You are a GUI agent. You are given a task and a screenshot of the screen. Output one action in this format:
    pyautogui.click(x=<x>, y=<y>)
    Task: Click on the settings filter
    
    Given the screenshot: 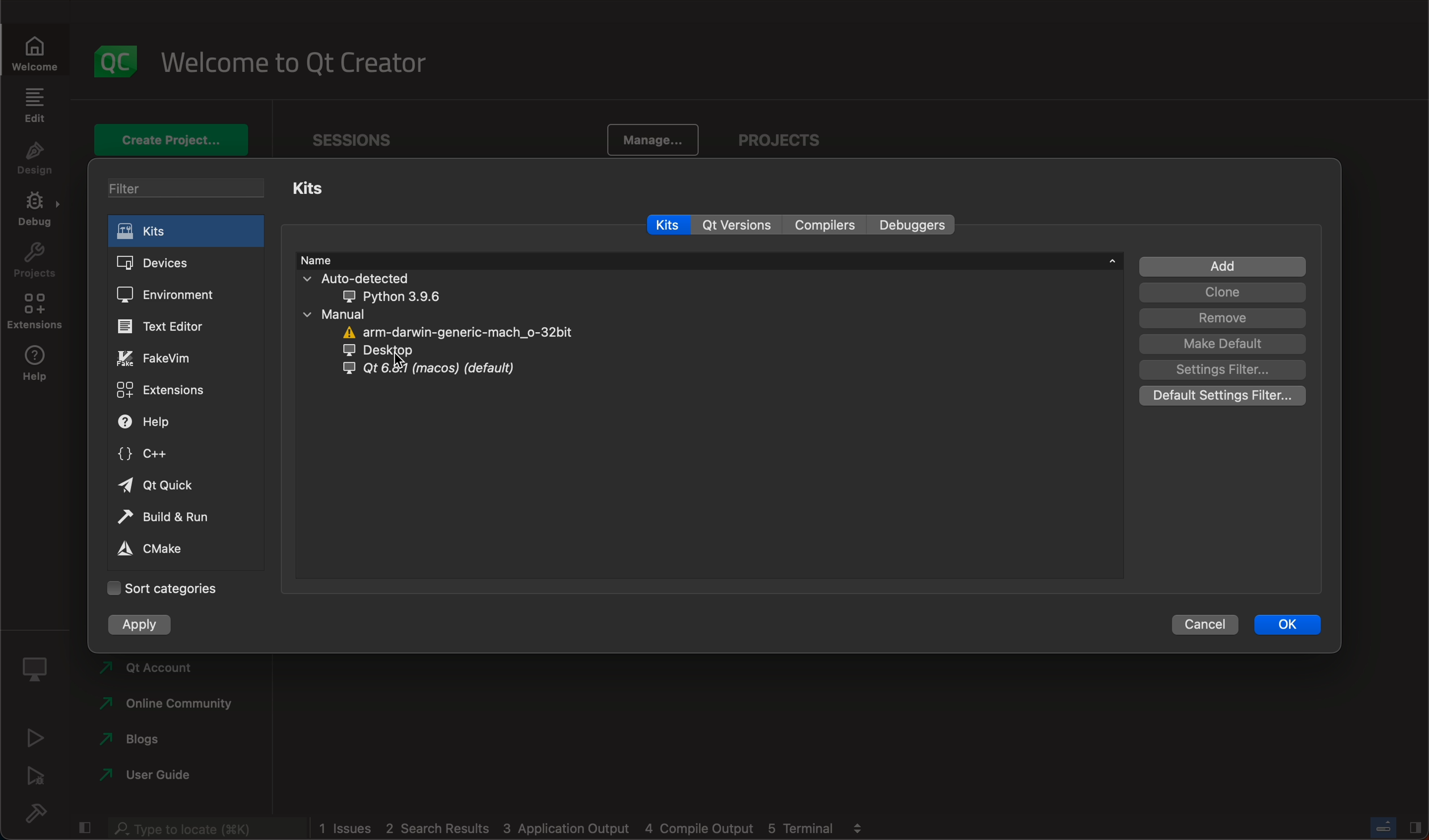 What is the action you would take?
    pyautogui.click(x=1223, y=370)
    